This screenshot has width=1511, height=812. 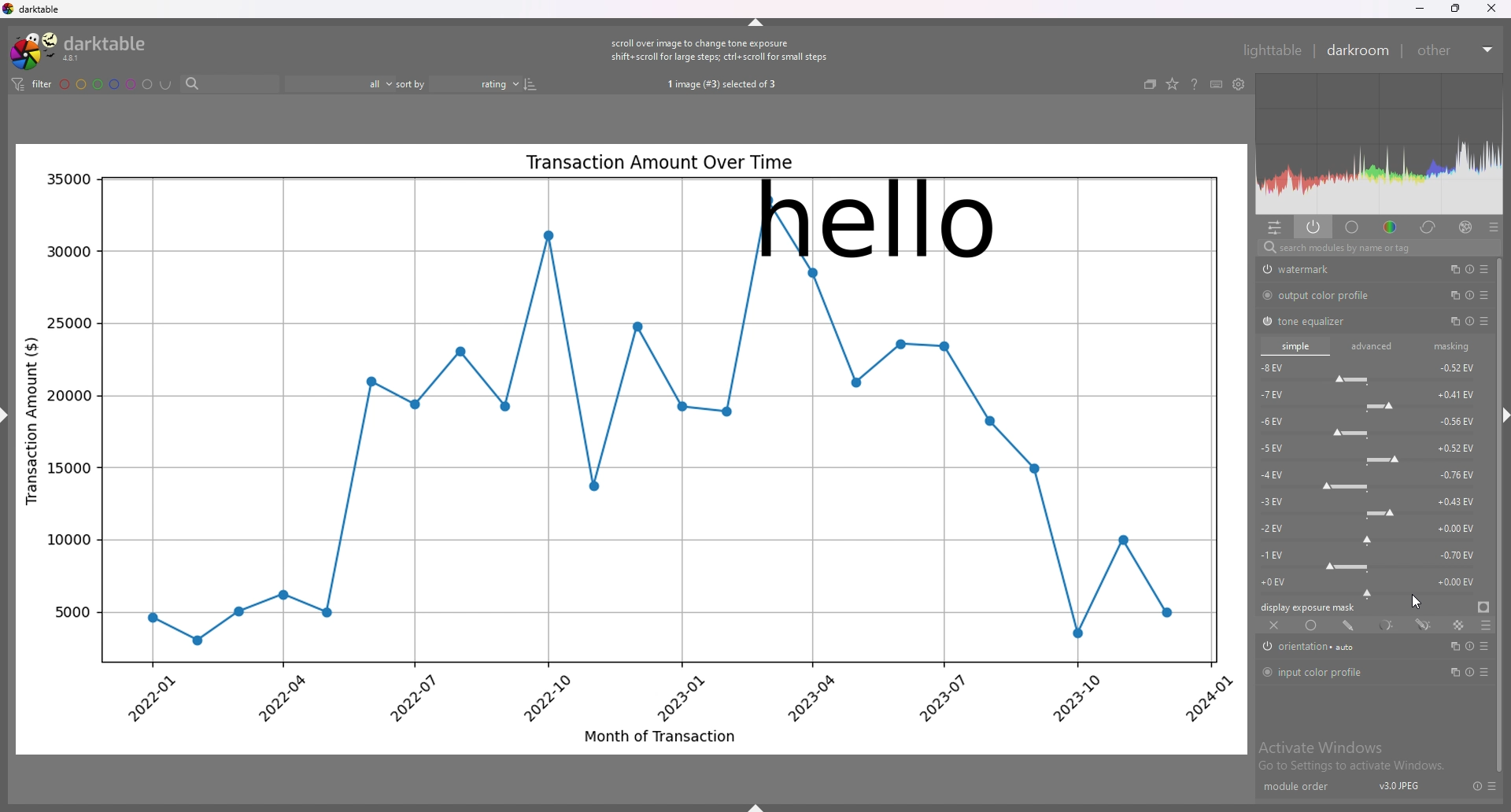 I want to click on Month of Transaction, so click(x=659, y=735).